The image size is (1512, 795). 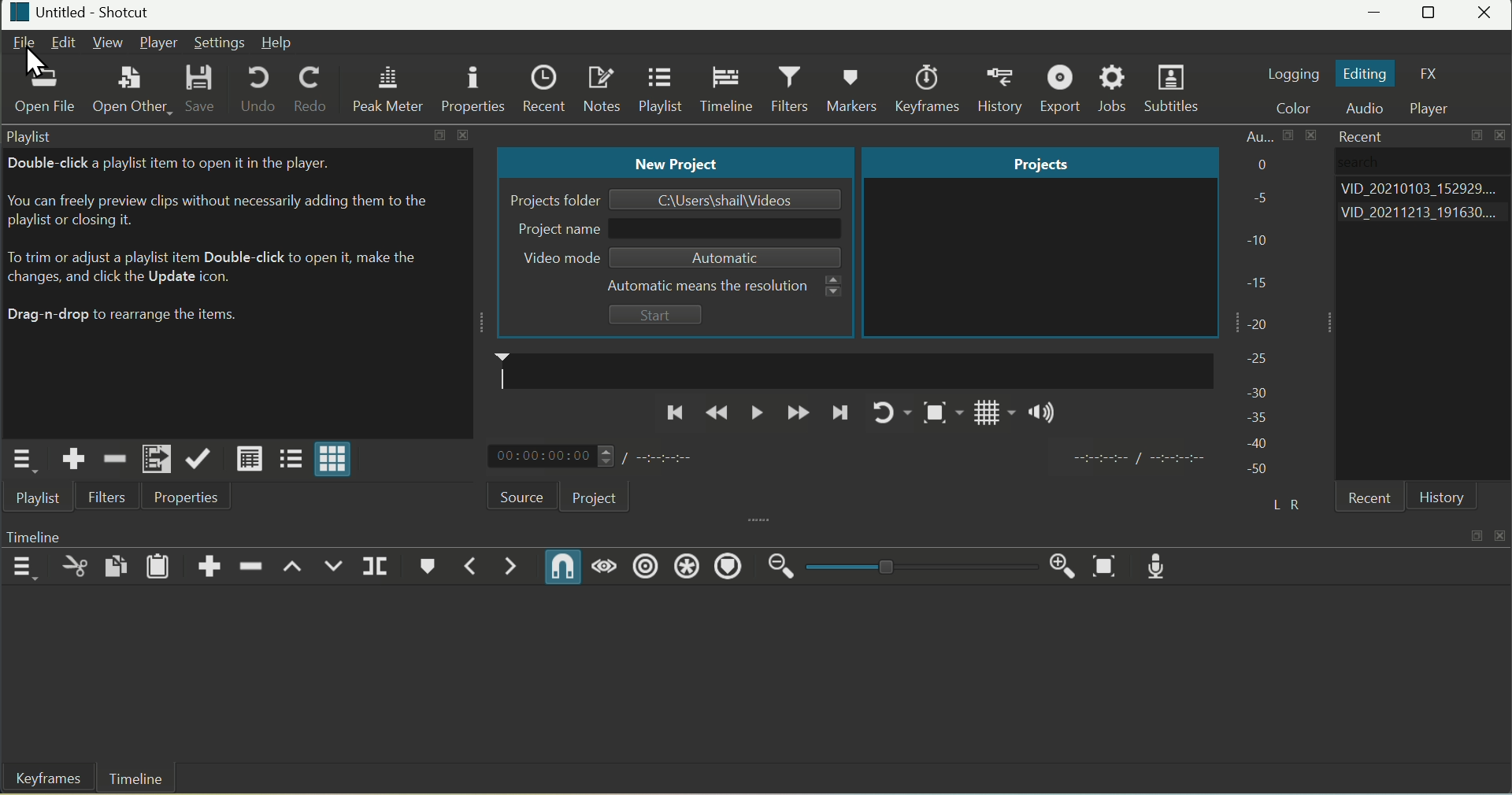 What do you see at coordinates (1175, 91) in the screenshot?
I see `Subtitles` at bounding box center [1175, 91].